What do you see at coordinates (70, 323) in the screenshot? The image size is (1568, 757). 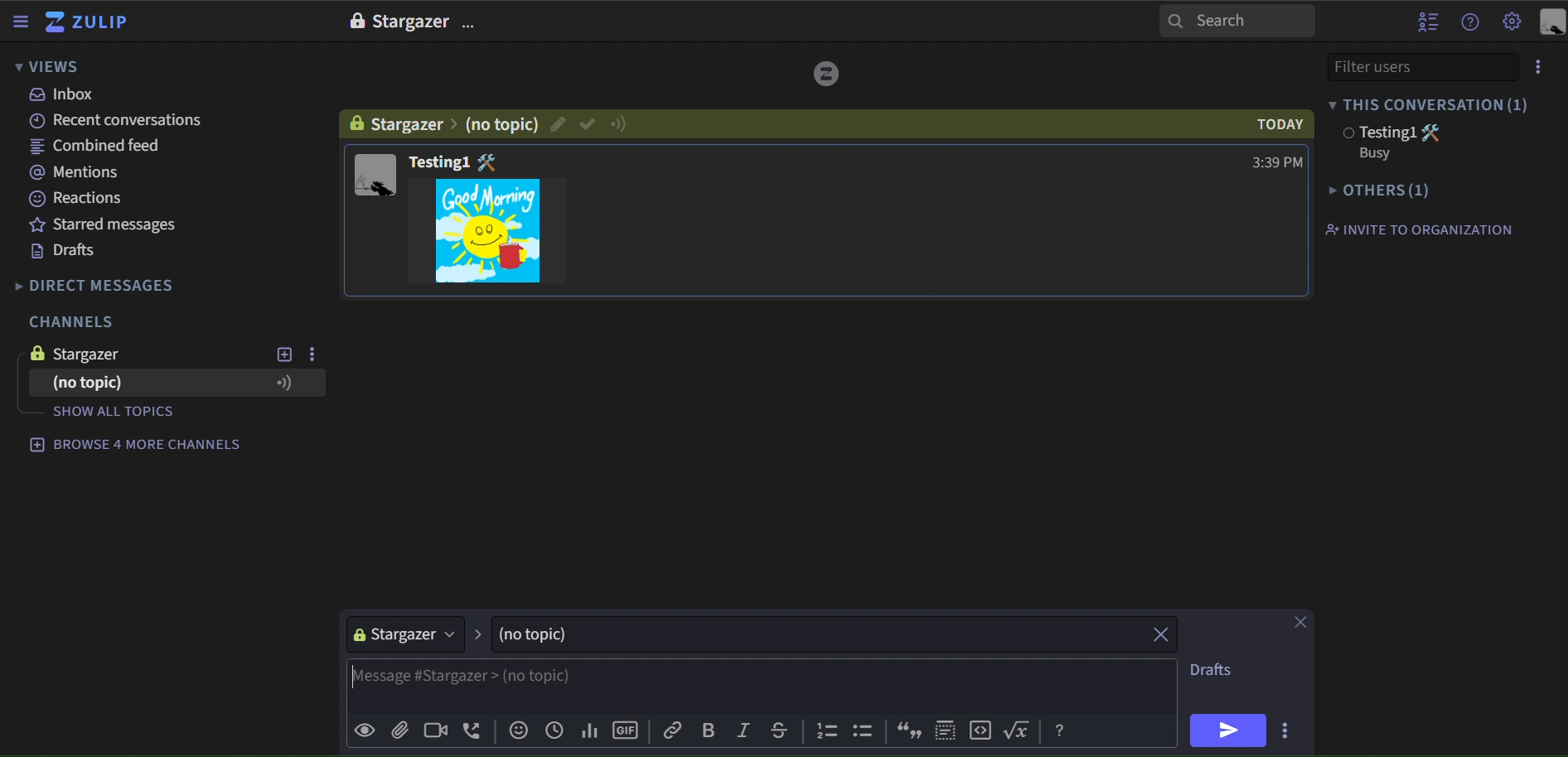 I see `channels` at bounding box center [70, 323].